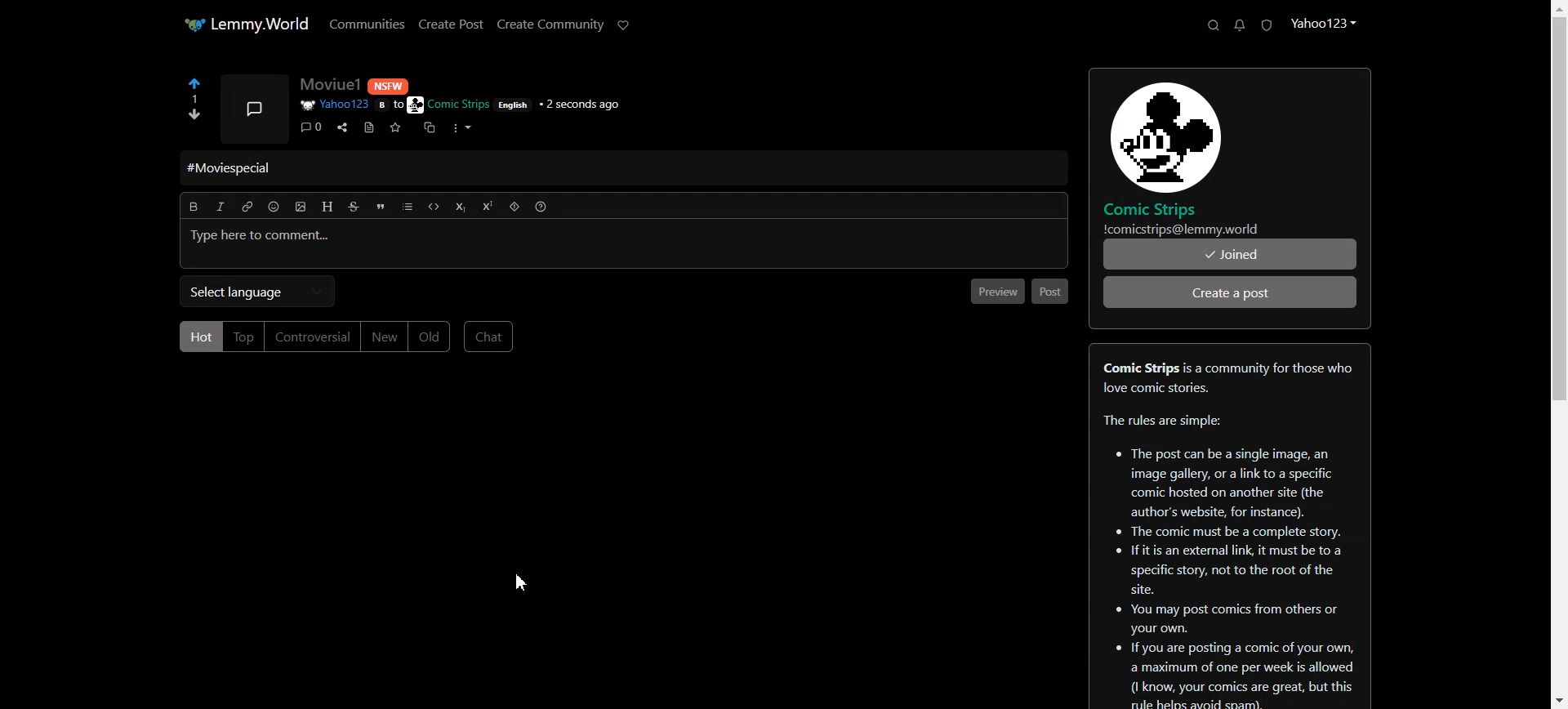  I want to click on Create Post, so click(450, 24).